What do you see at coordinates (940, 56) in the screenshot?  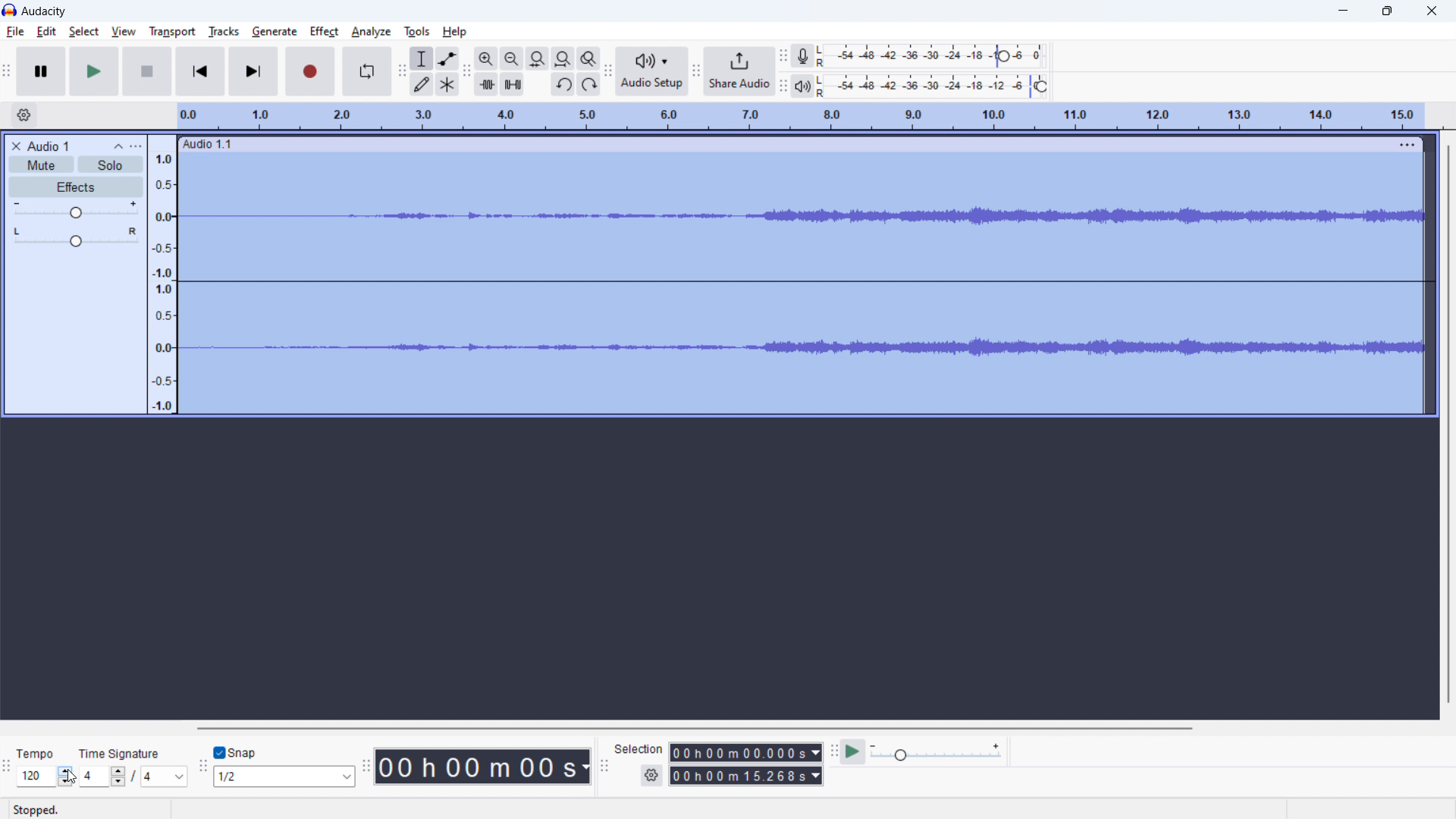 I see `record level` at bounding box center [940, 56].